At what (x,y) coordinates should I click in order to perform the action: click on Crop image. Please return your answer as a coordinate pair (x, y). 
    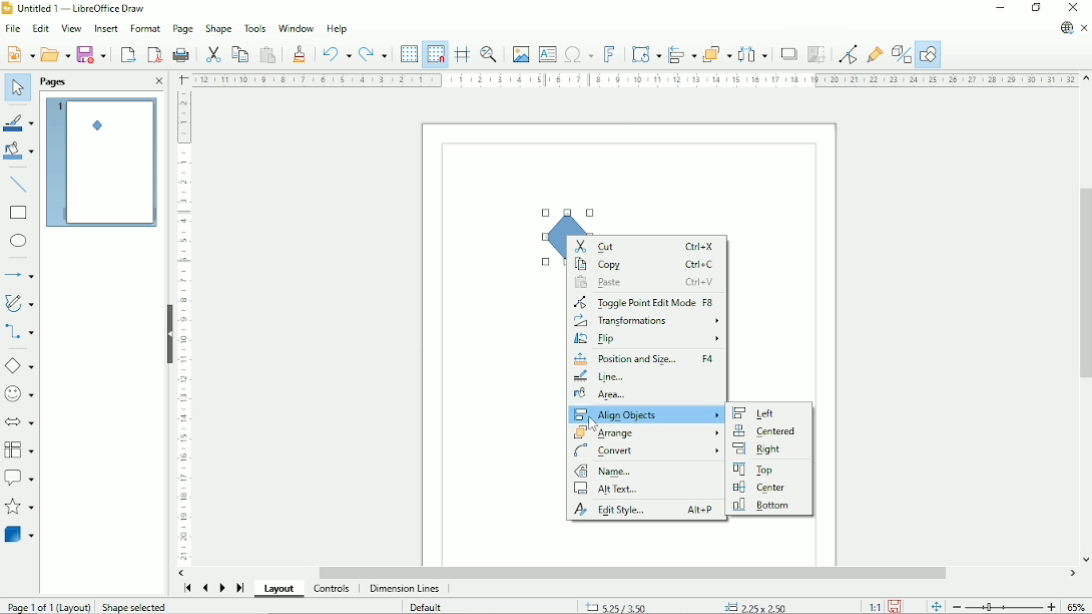
    Looking at the image, I should click on (817, 54).